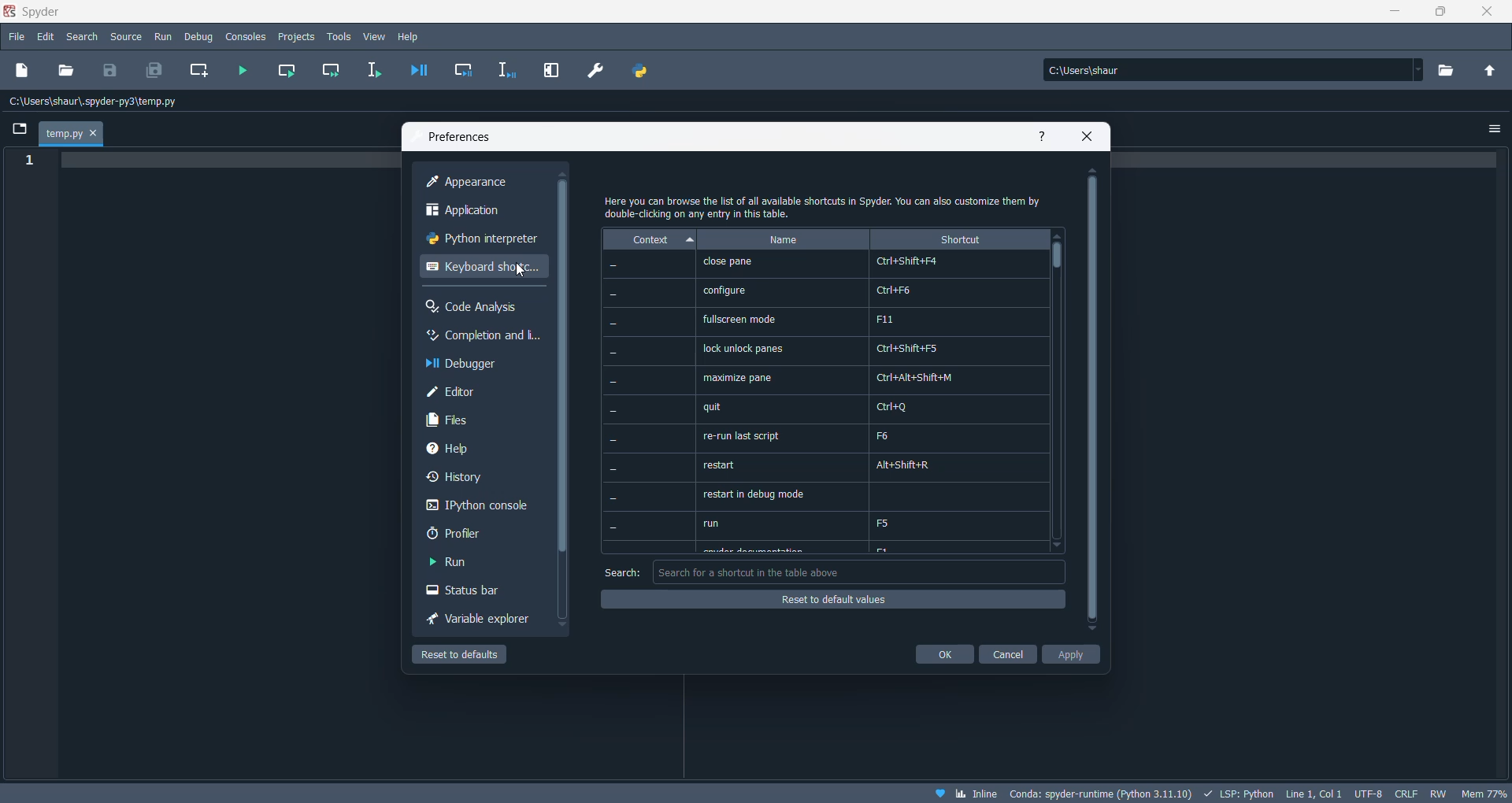 This screenshot has height=803, width=1512. What do you see at coordinates (1405, 792) in the screenshot?
I see `file EOL status` at bounding box center [1405, 792].